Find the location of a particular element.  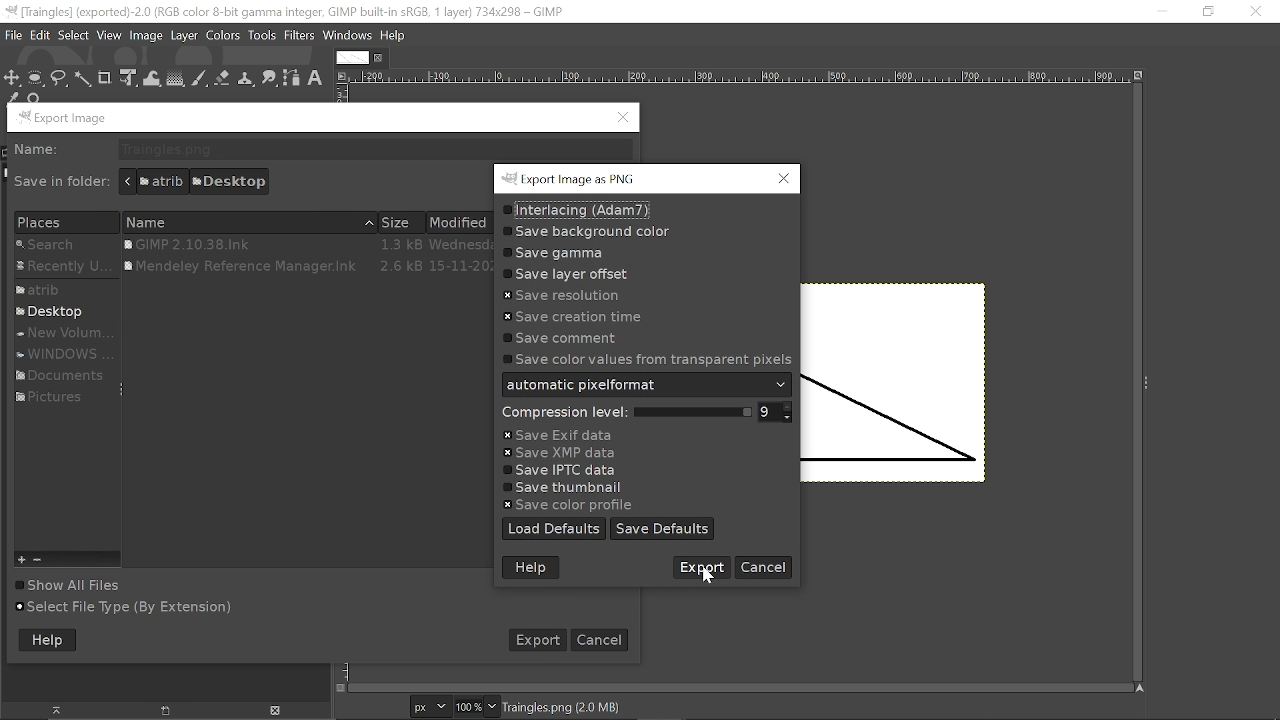

paths tool is located at coordinates (292, 79).